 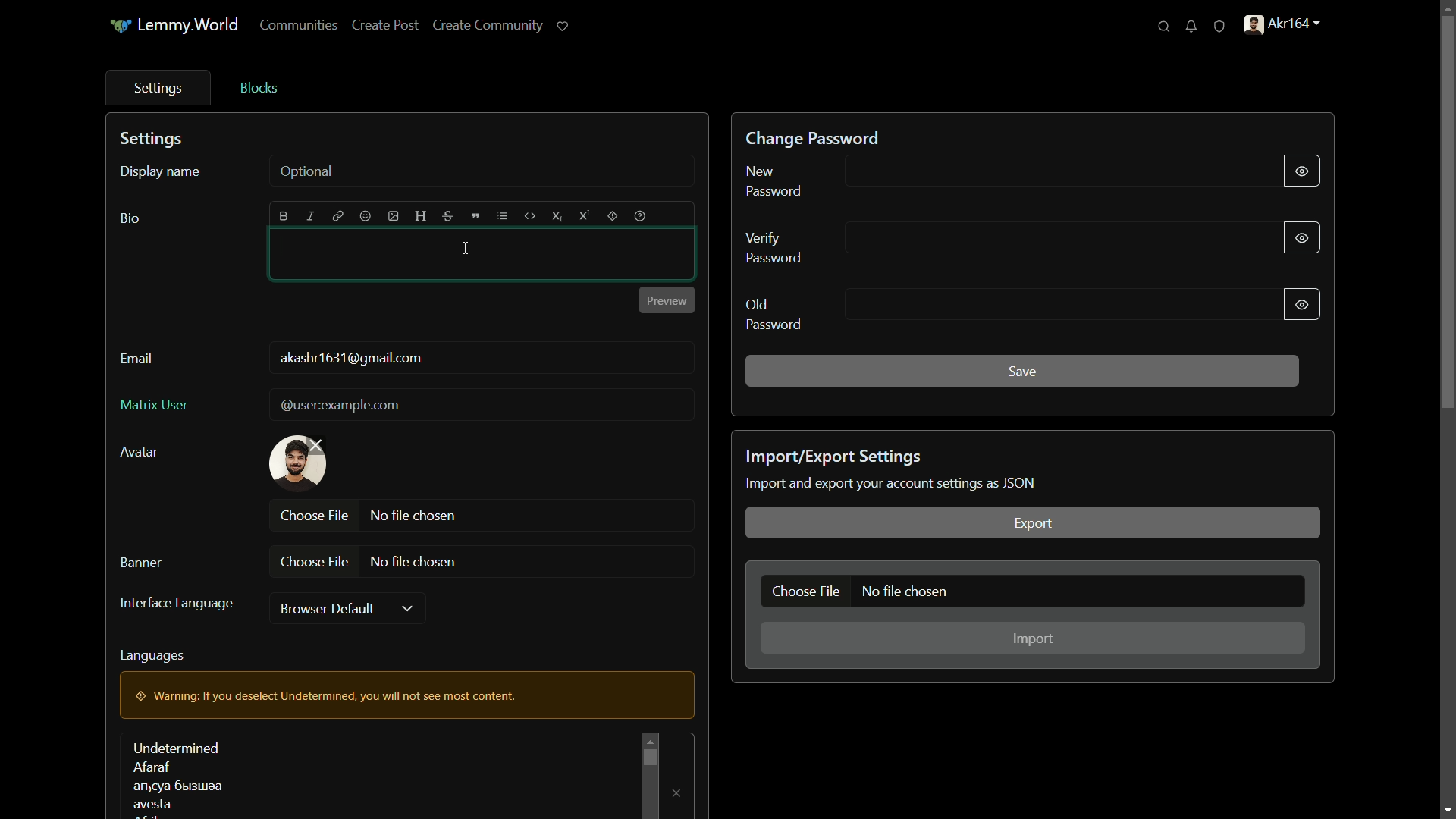 I want to click on @userexample.com, so click(x=343, y=406).